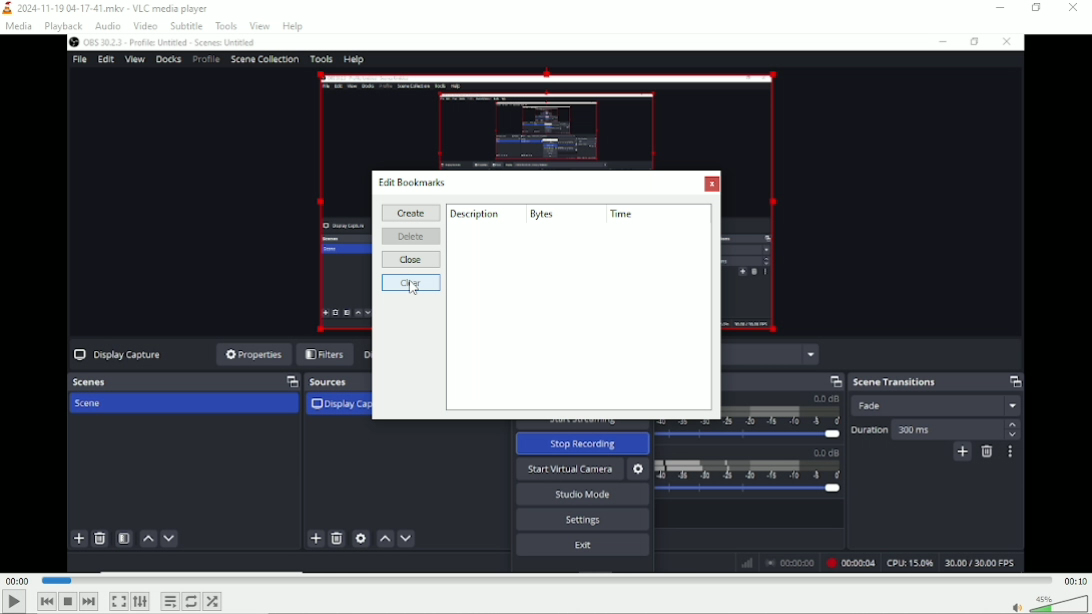  Describe the element at coordinates (212, 602) in the screenshot. I see `Random` at that location.